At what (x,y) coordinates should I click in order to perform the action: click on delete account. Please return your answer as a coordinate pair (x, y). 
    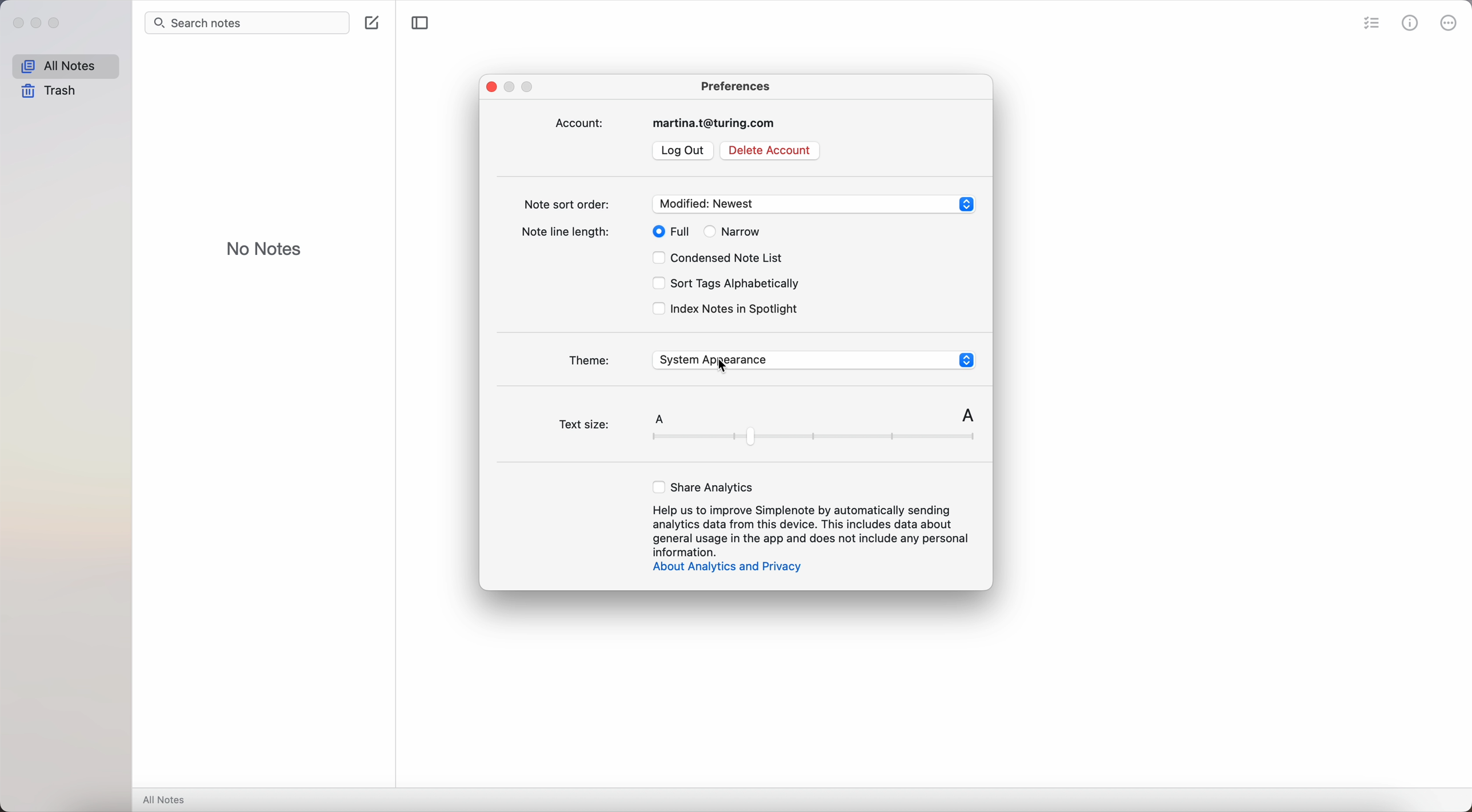
    Looking at the image, I should click on (769, 150).